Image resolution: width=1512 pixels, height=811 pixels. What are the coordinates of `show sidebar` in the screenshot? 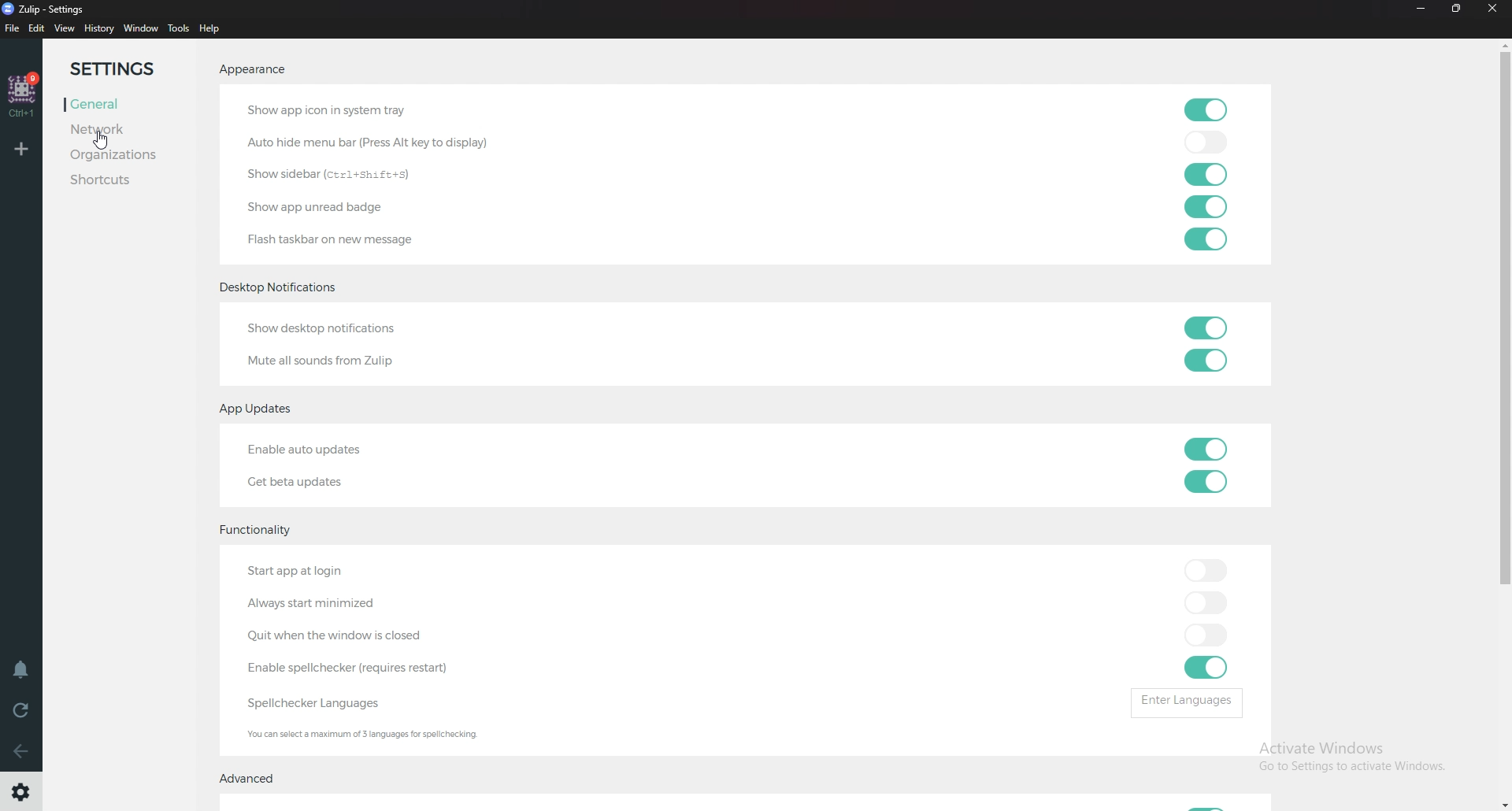 It's located at (343, 178).